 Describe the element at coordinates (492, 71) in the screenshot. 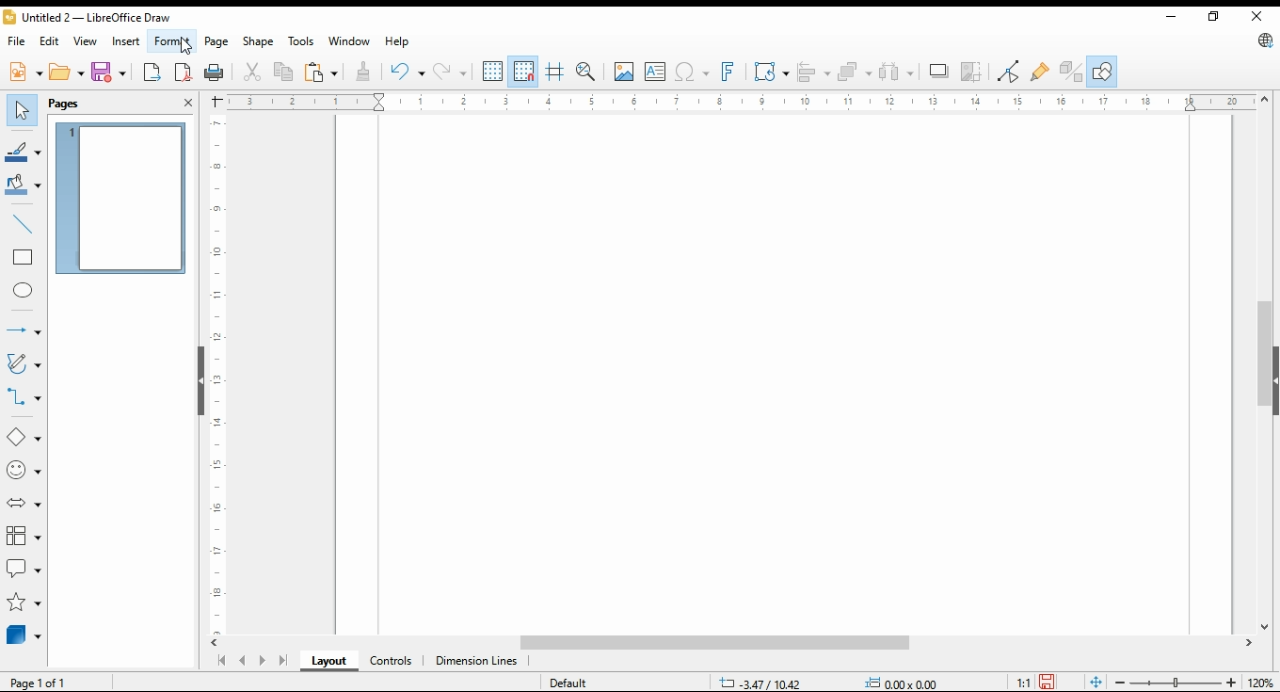

I see `show grids` at that location.